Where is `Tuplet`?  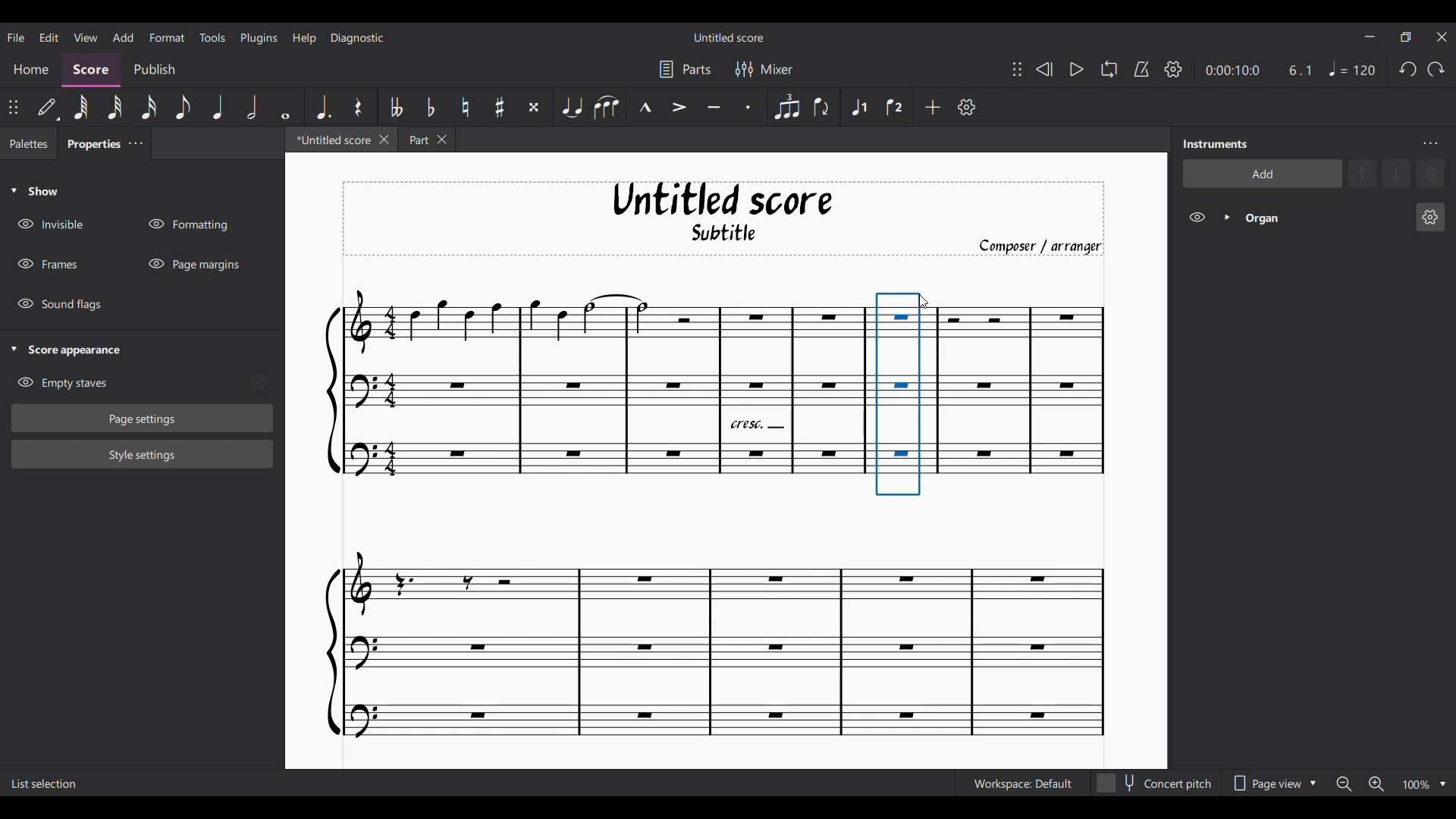
Tuplet is located at coordinates (785, 107).